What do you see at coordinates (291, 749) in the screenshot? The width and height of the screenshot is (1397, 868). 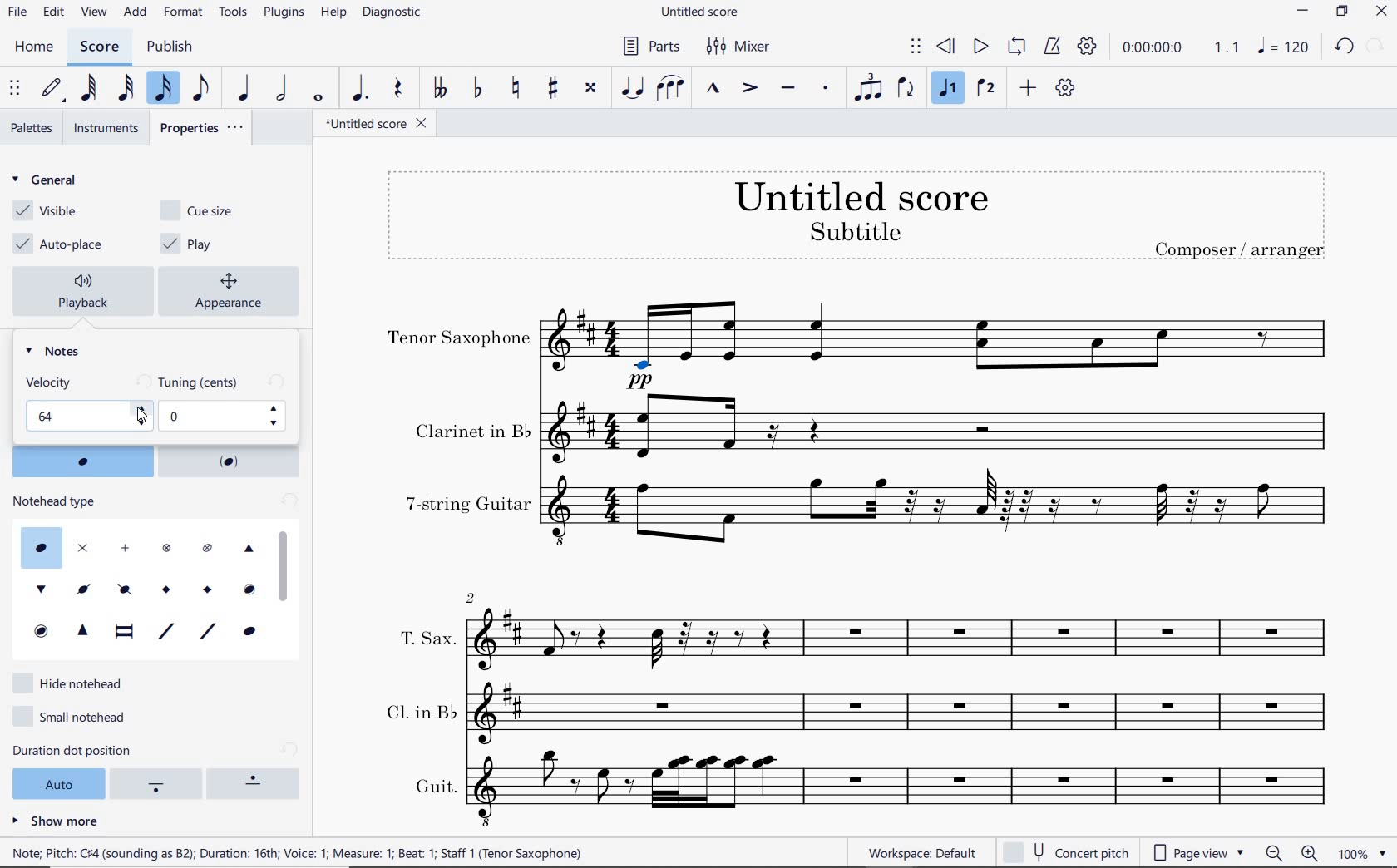 I see `reset` at bounding box center [291, 749].